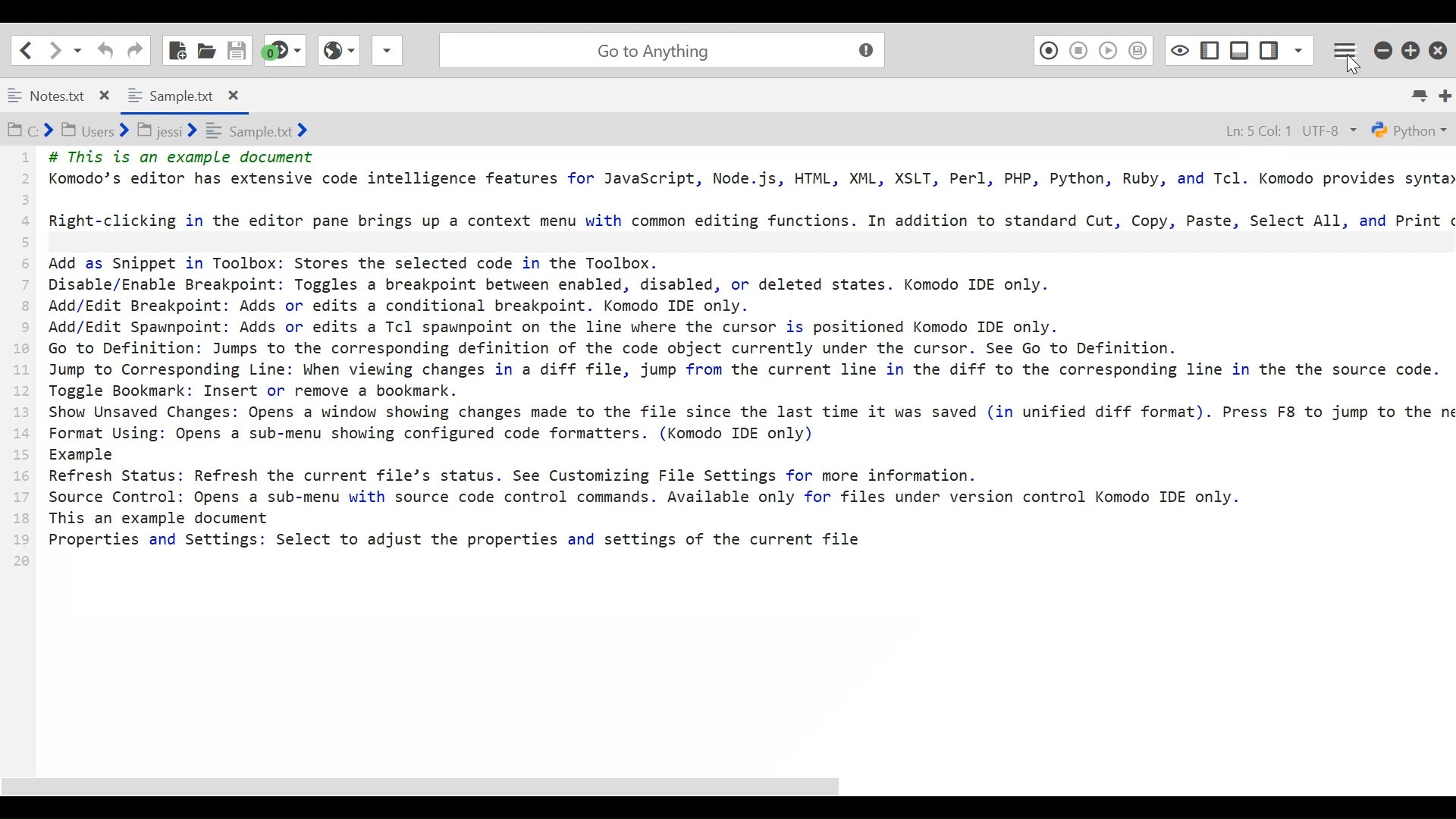  I want to click on Undo, so click(106, 49).